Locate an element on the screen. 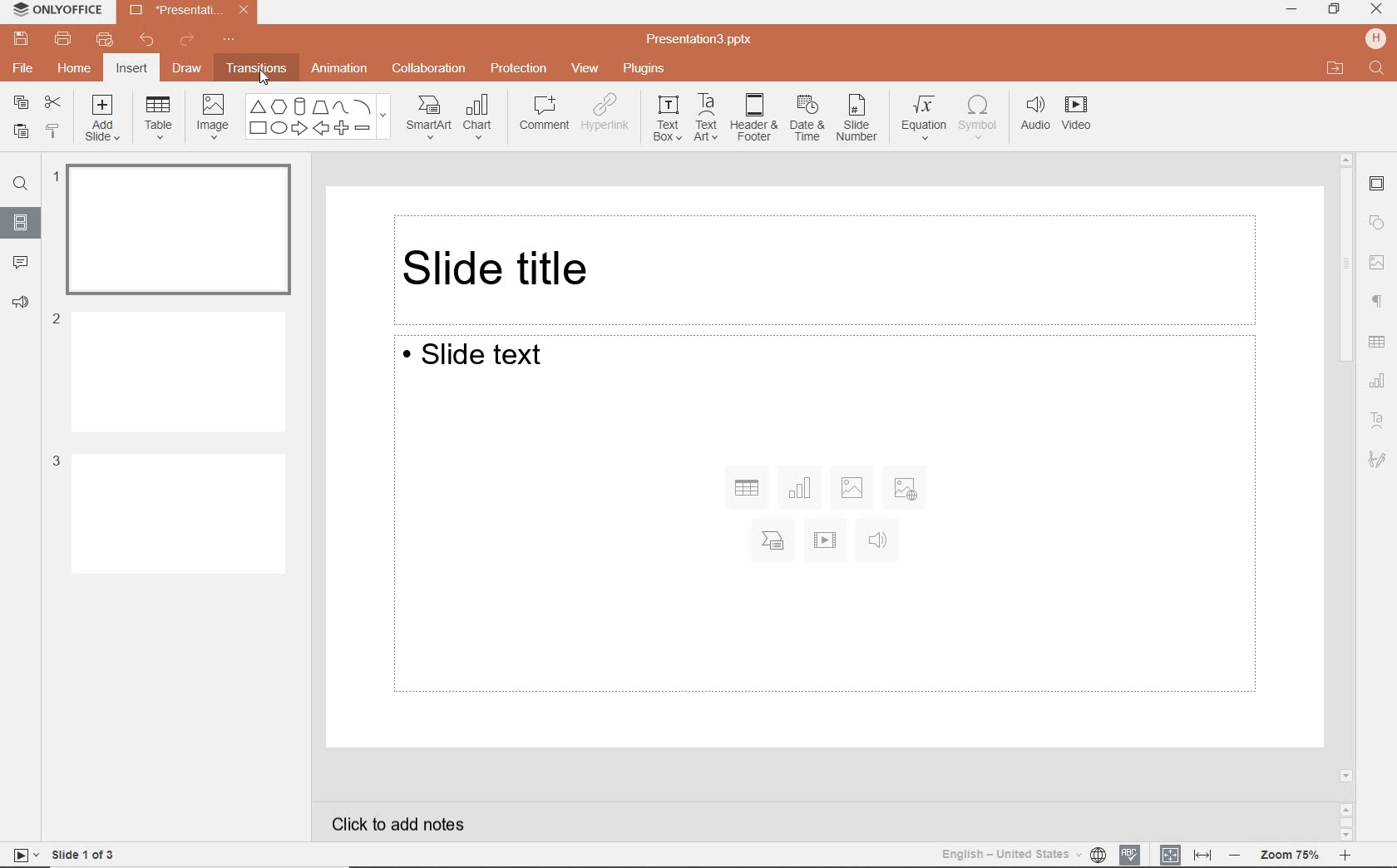  print is located at coordinates (63, 37).